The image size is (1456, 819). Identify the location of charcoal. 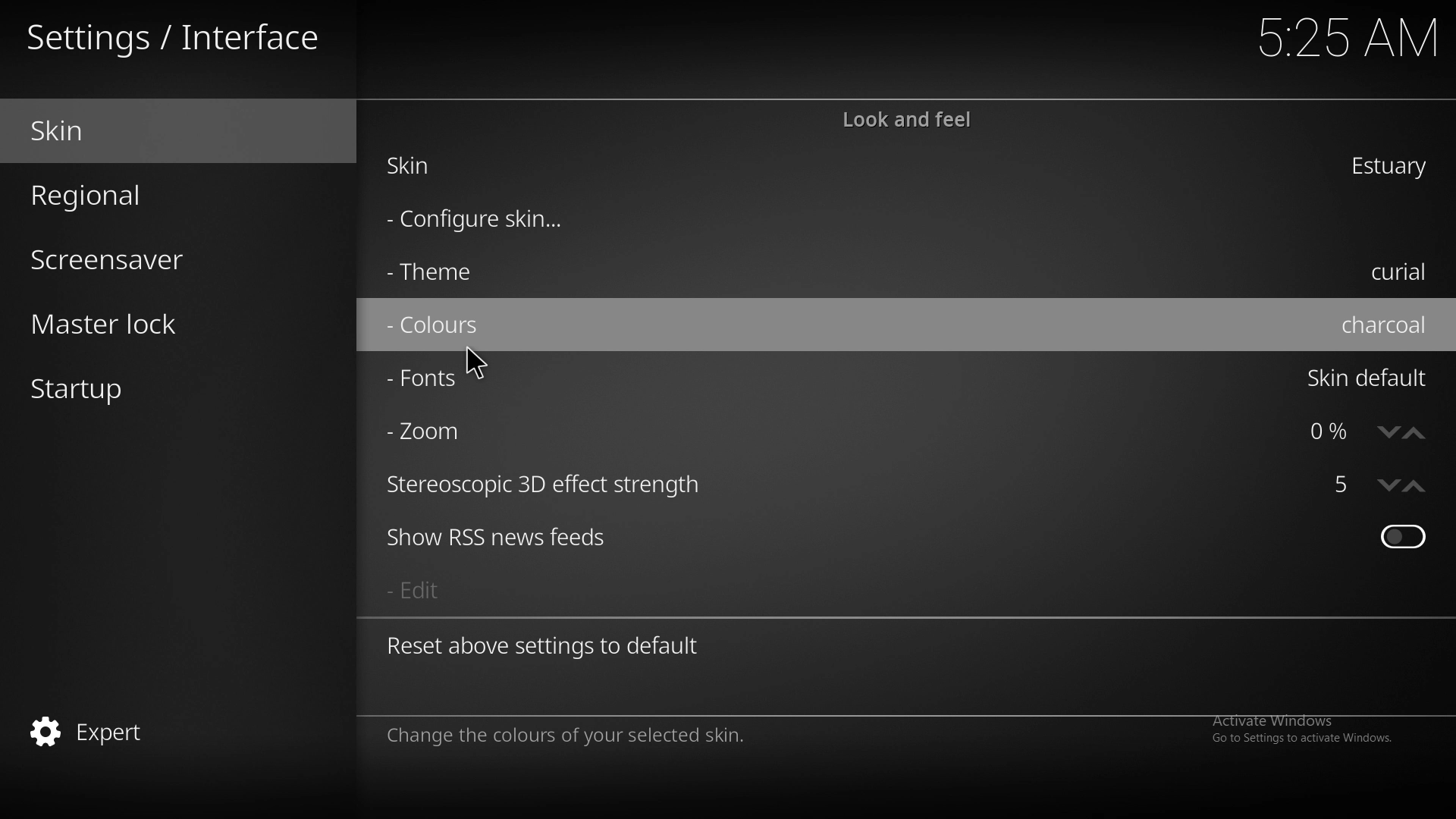
(1363, 325).